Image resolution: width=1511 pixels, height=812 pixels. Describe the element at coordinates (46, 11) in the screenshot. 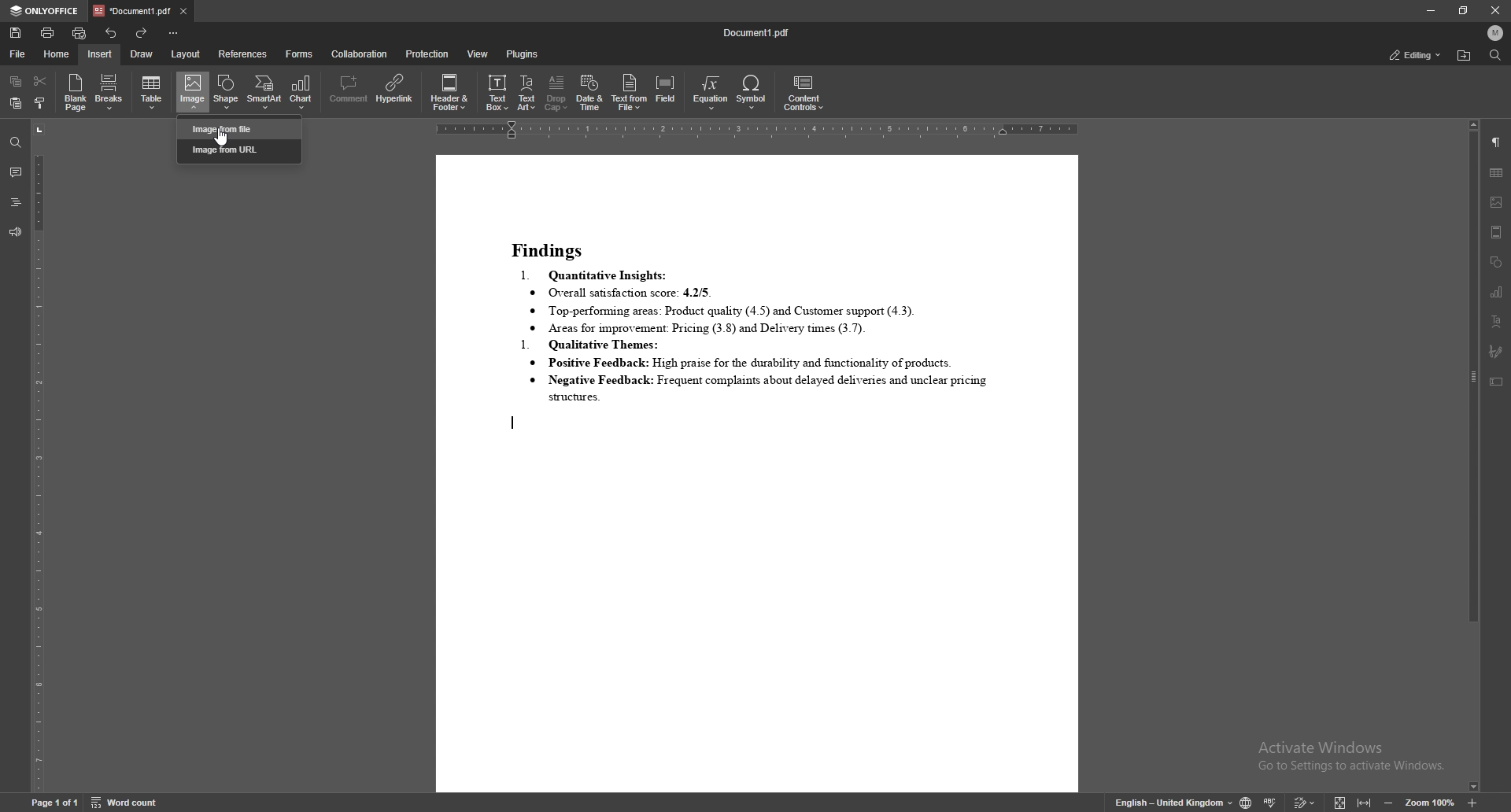

I see `onlyoffice` at that location.